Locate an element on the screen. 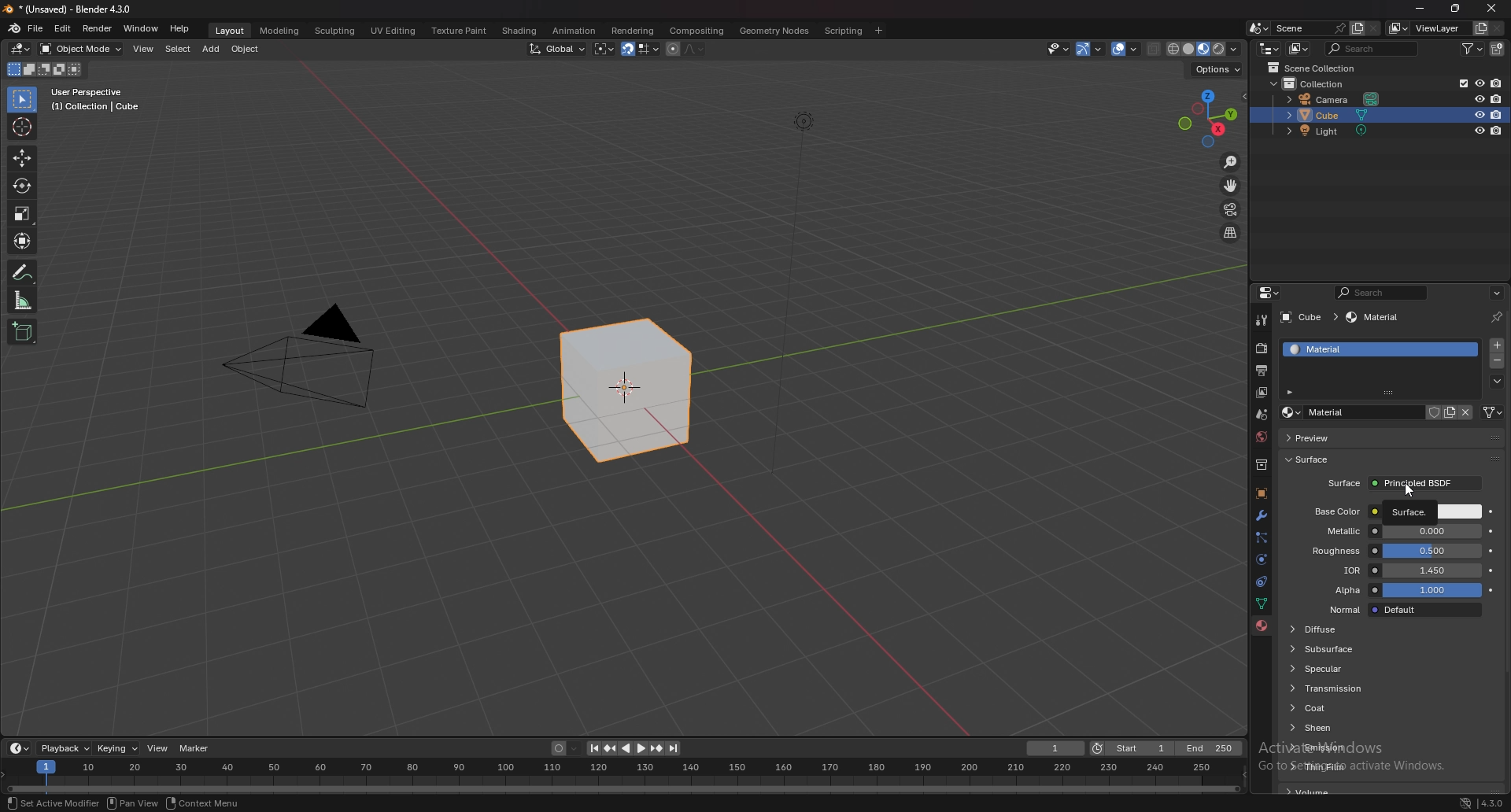  collection is located at coordinates (1262, 465).